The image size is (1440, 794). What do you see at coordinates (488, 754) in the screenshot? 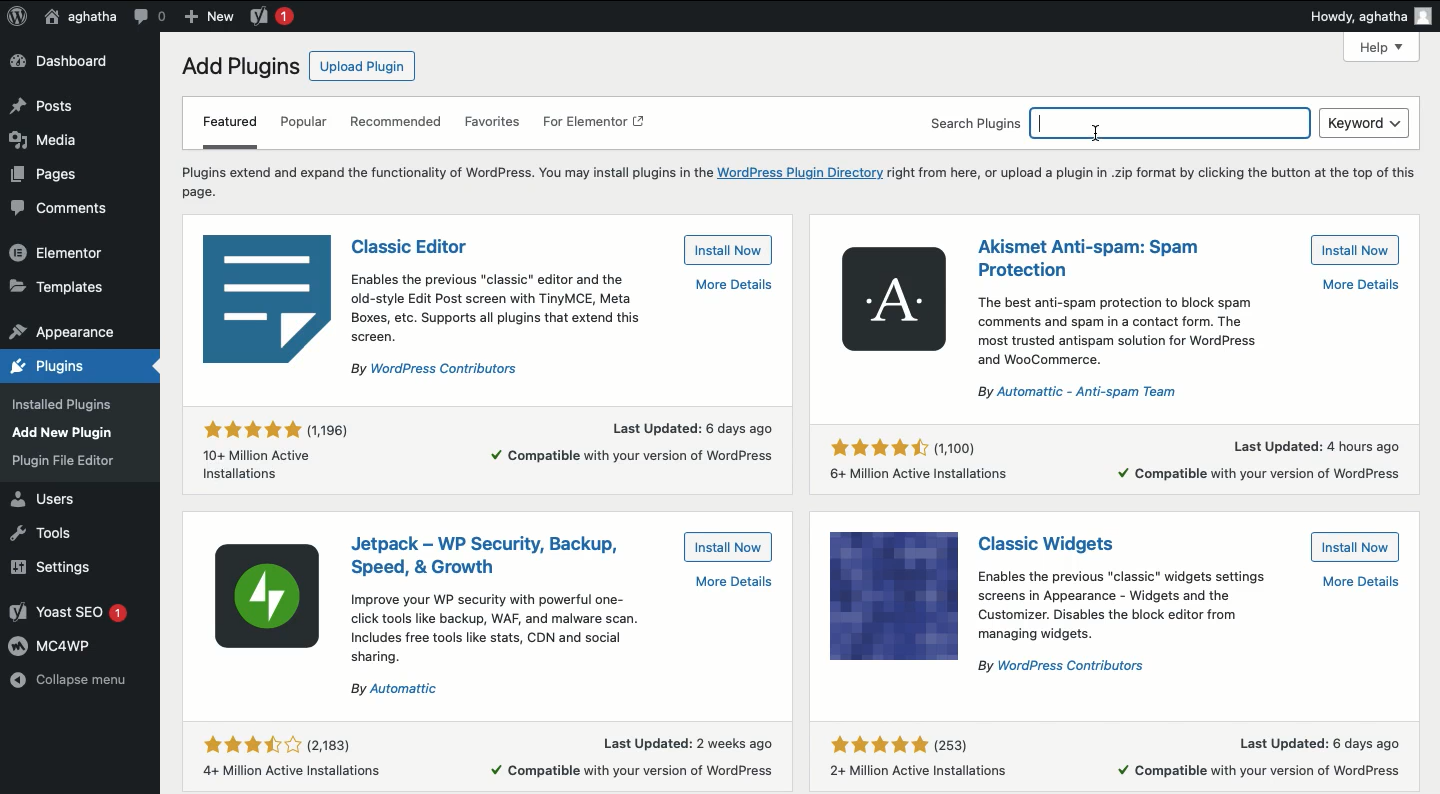
I see `Hoke ofr 7 (2183) Last Updated: 2 weeks ago
4+ Millon Active Installations Compatible with your version of WordPress` at bounding box center [488, 754].